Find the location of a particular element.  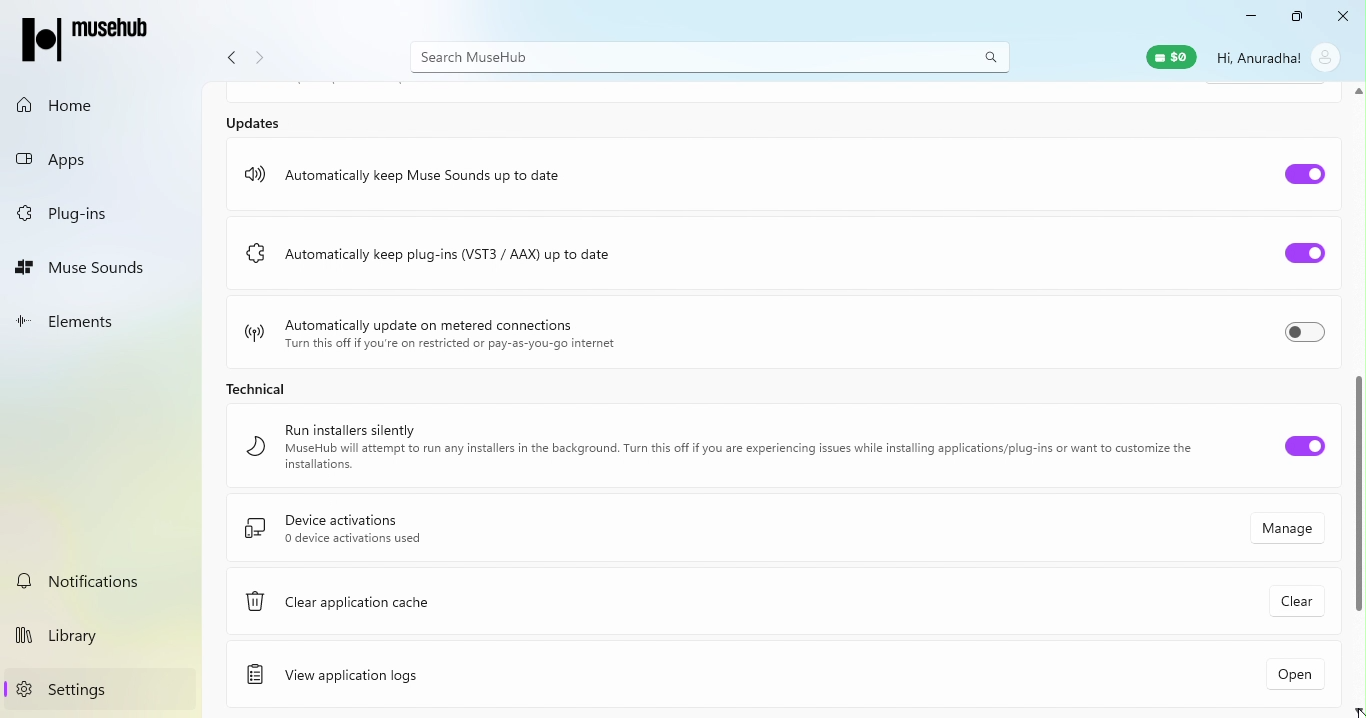

Navigate forward is located at coordinates (261, 61).